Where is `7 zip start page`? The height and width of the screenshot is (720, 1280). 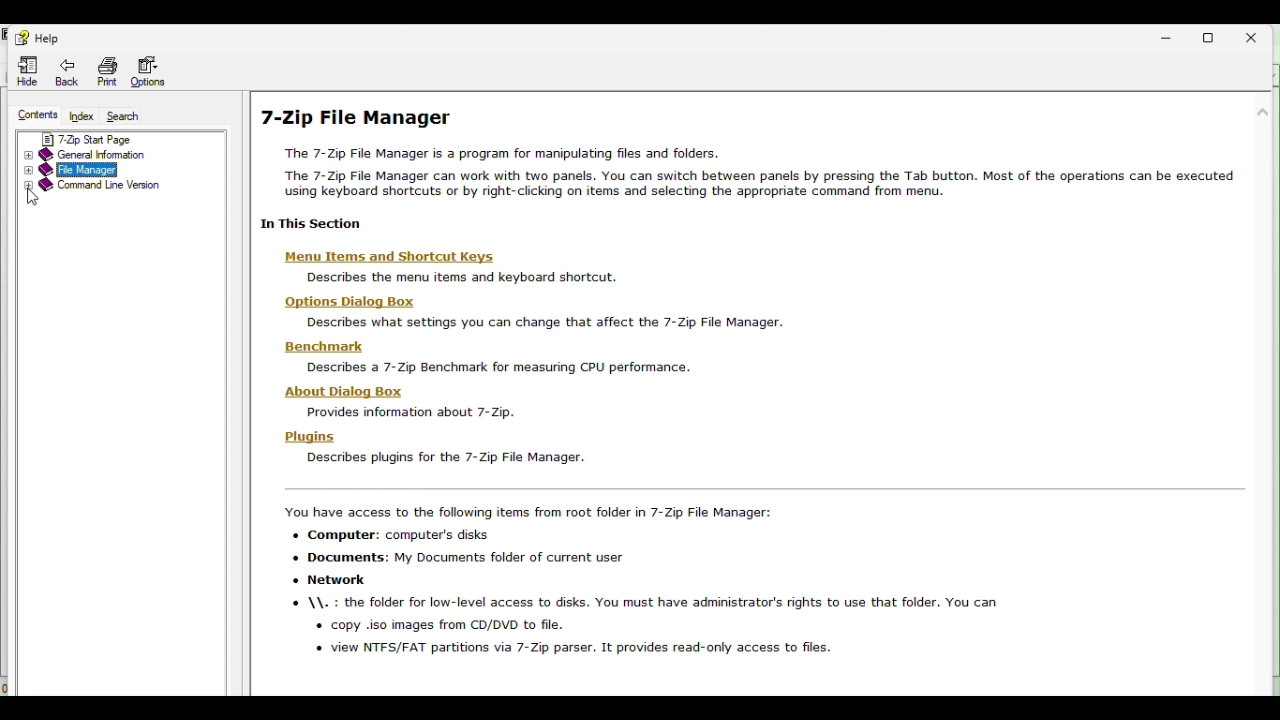 7 zip start page is located at coordinates (103, 139).